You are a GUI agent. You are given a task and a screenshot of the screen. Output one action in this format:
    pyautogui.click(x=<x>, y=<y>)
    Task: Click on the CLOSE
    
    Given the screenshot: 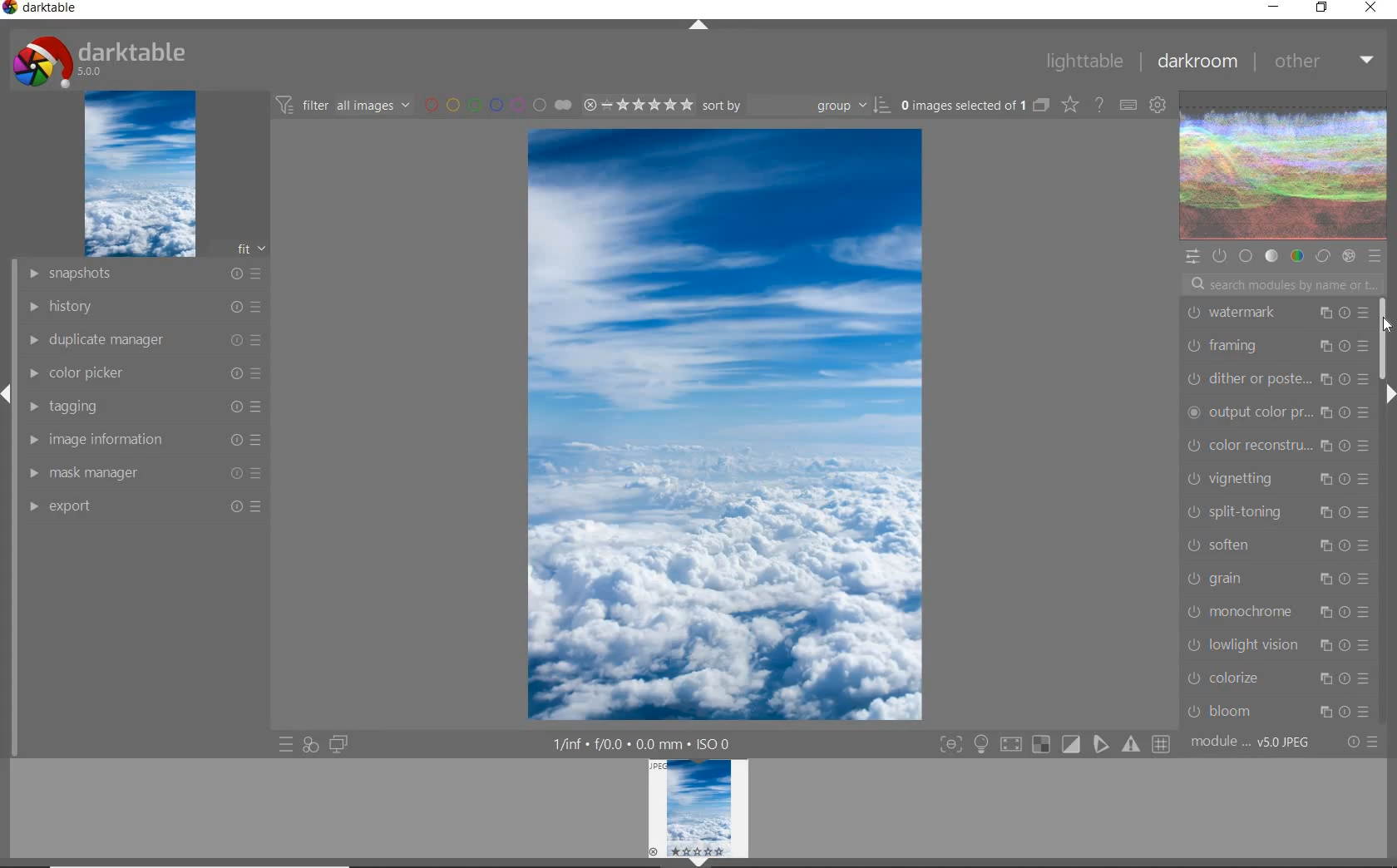 What is the action you would take?
    pyautogui.click(x=1371, y=8)
    